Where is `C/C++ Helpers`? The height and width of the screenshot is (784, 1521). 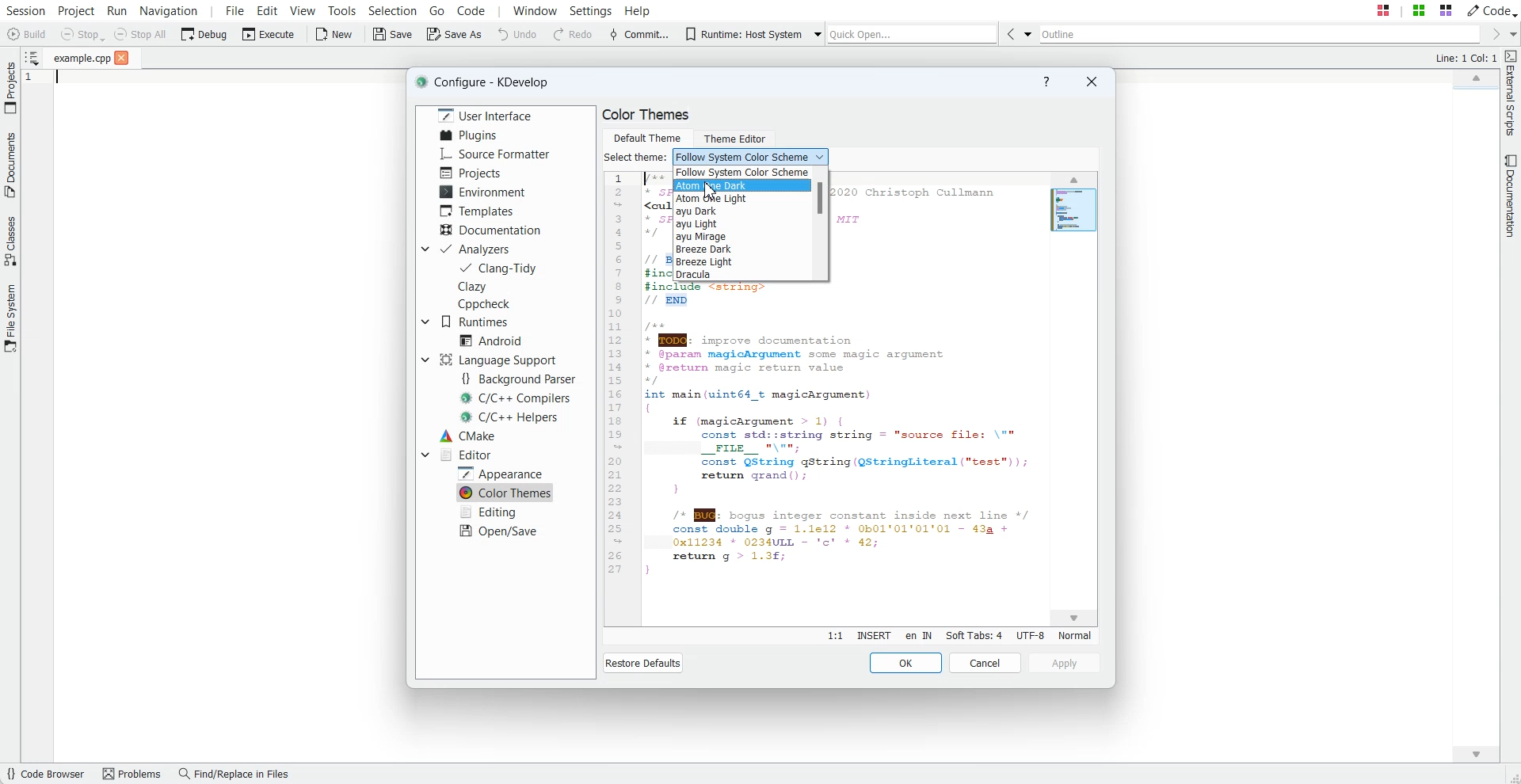 C/C++ Helpers is located at coordinates (511, 417).